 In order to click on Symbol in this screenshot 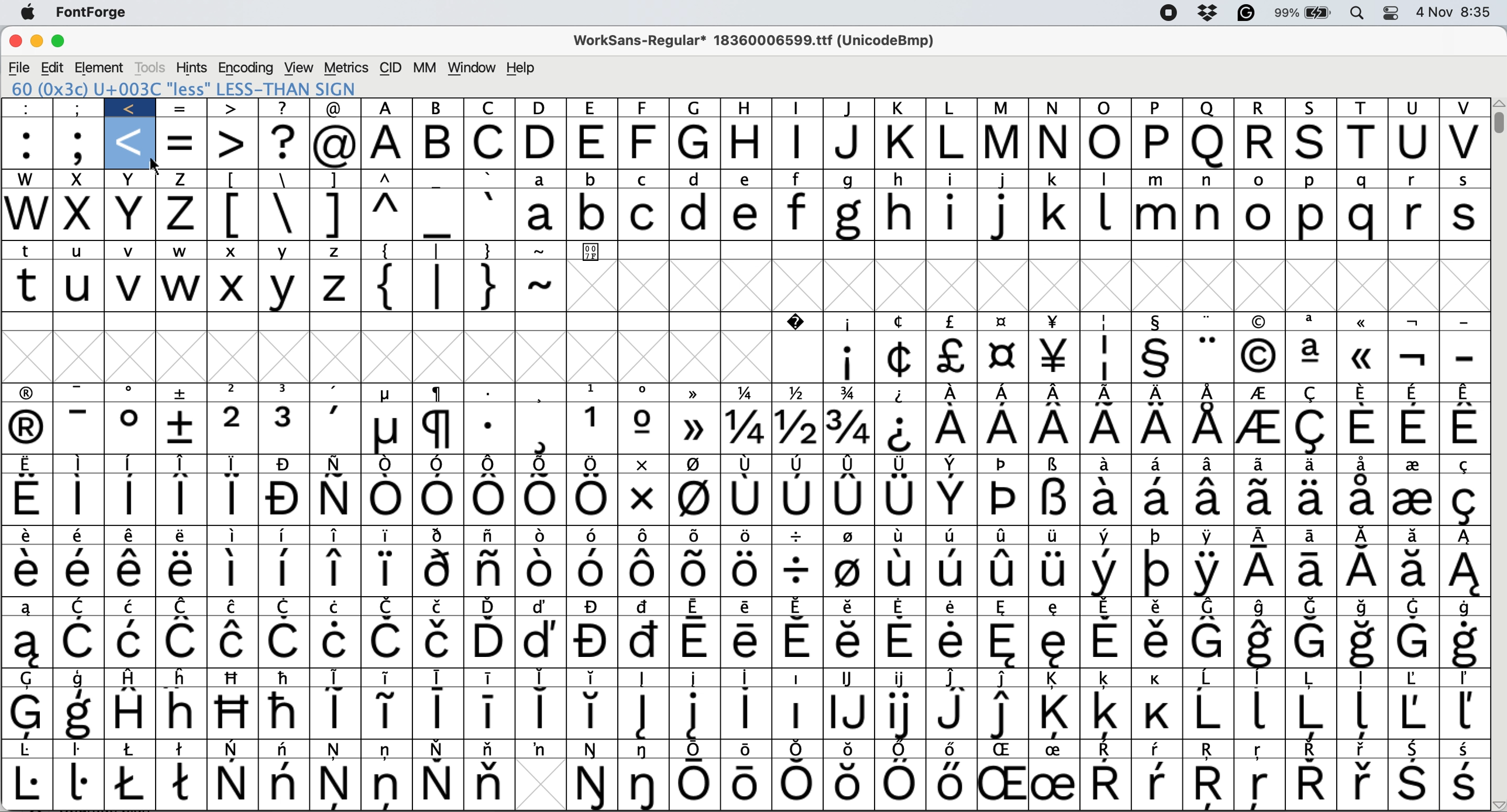, I will do `click(1315, 573)`.